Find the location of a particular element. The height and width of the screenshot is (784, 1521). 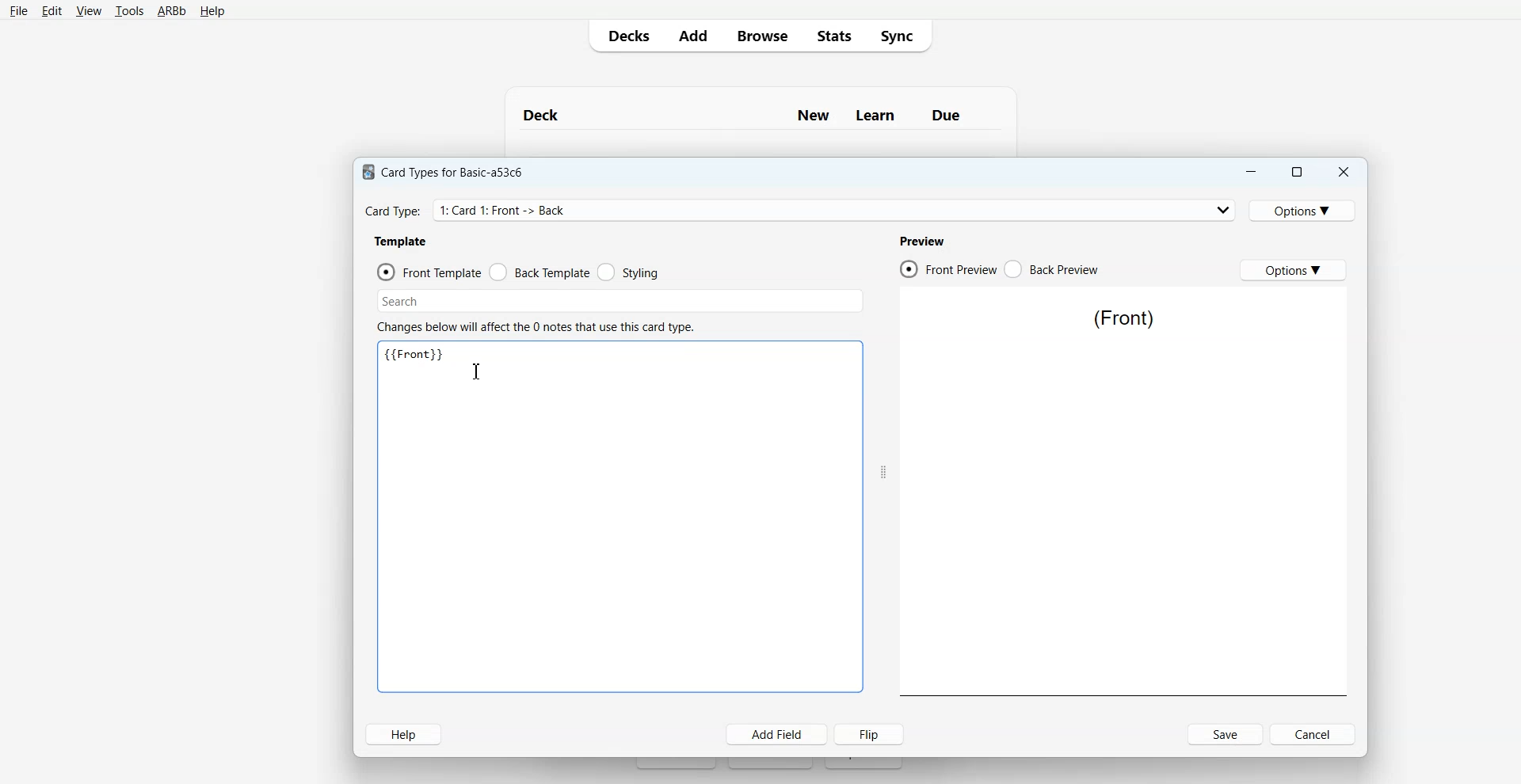

Template is located at coordinates (402, 241).